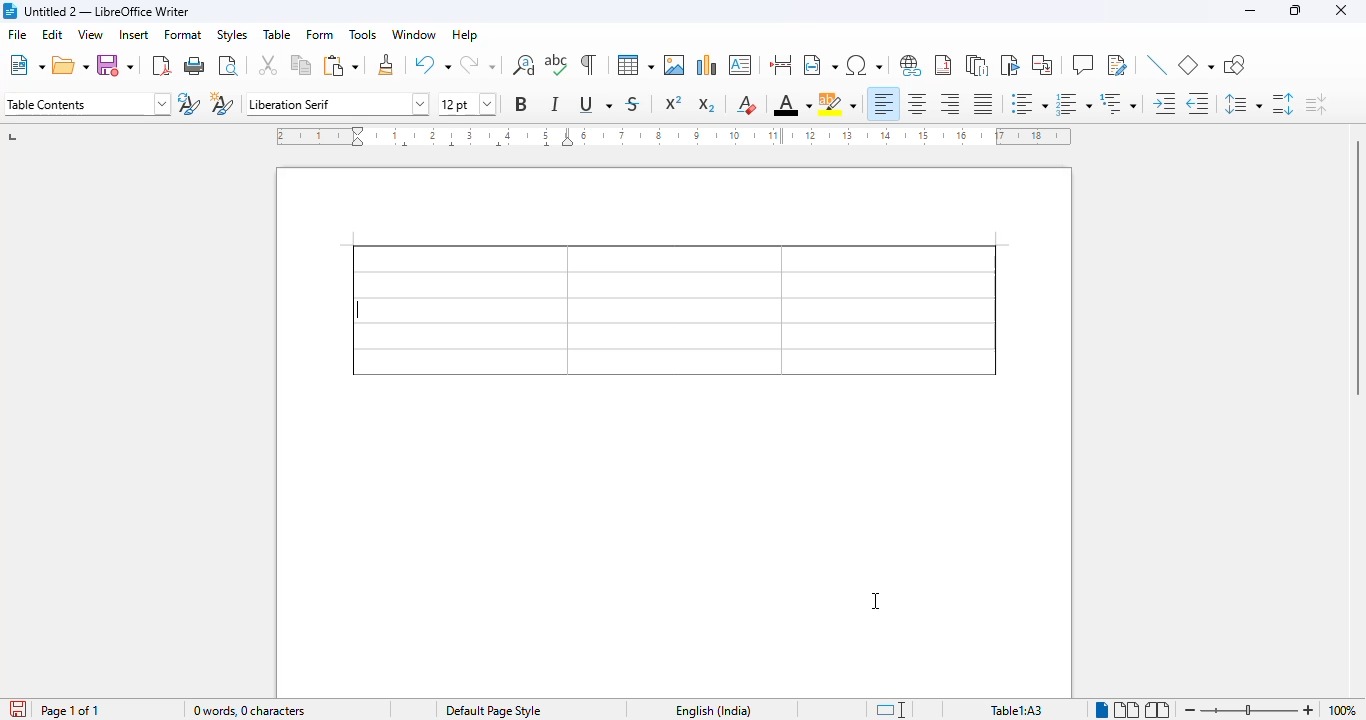  Describe the element at coordinates (1343, 10) in the screenshot. I see `close` at that location.